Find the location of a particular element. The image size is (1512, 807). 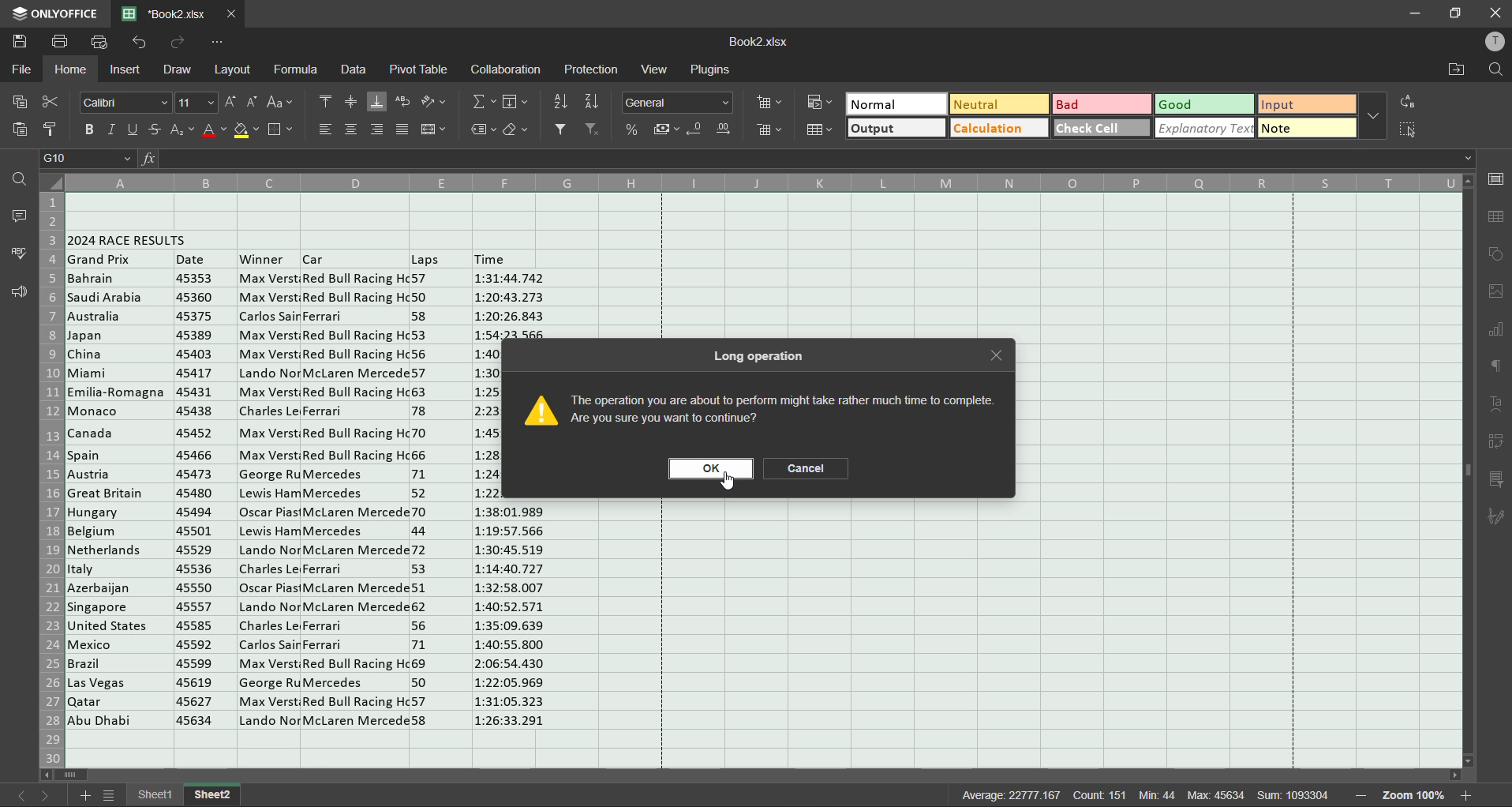

orientation is located at coordinates (433, 102).